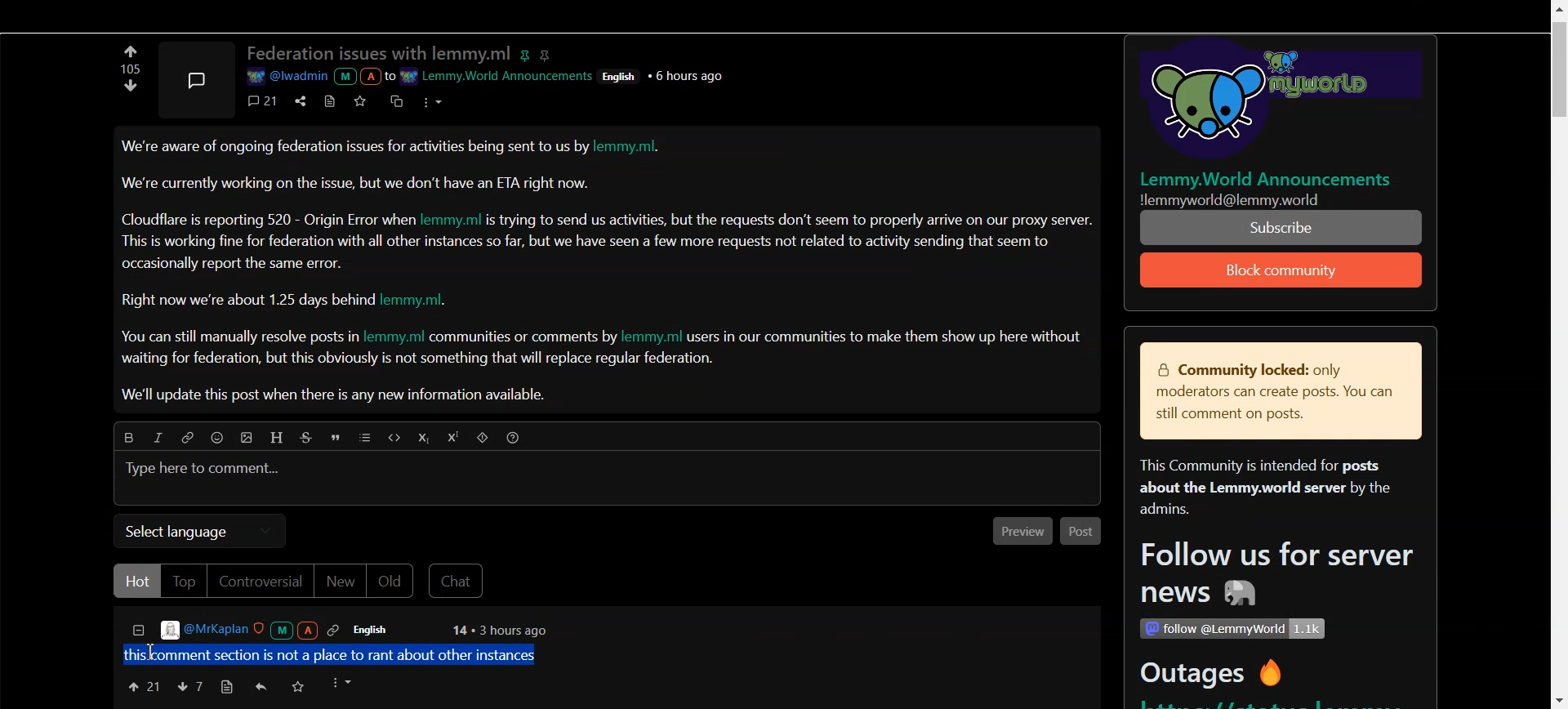 This screenshot has width=1568, height=709. Describe the element at coordinates (336, 653) in the screenshot. I see `this comment section is not a place to rant about other instances` at that location.